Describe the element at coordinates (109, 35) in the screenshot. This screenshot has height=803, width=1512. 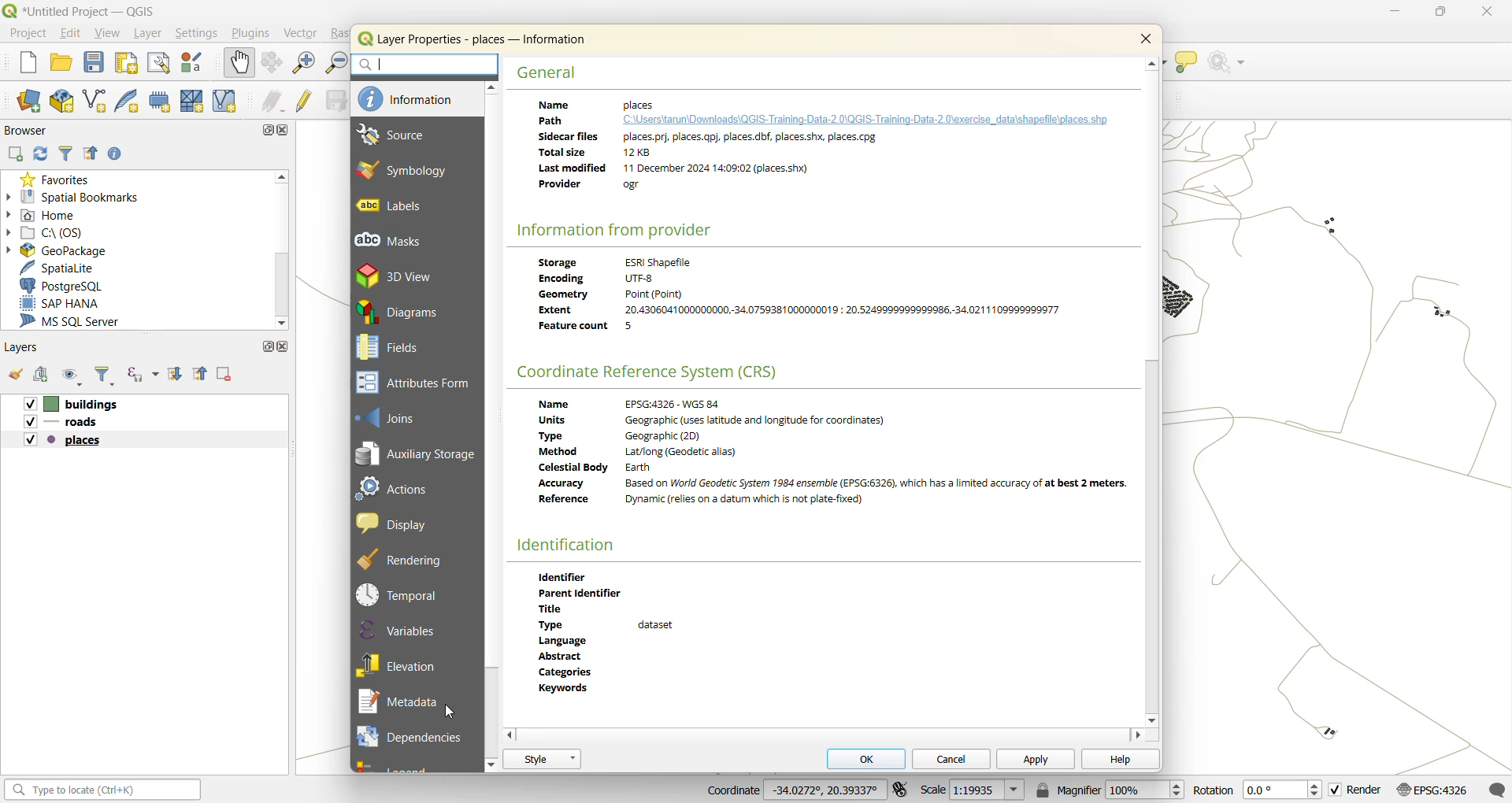
I see `view` at that location.